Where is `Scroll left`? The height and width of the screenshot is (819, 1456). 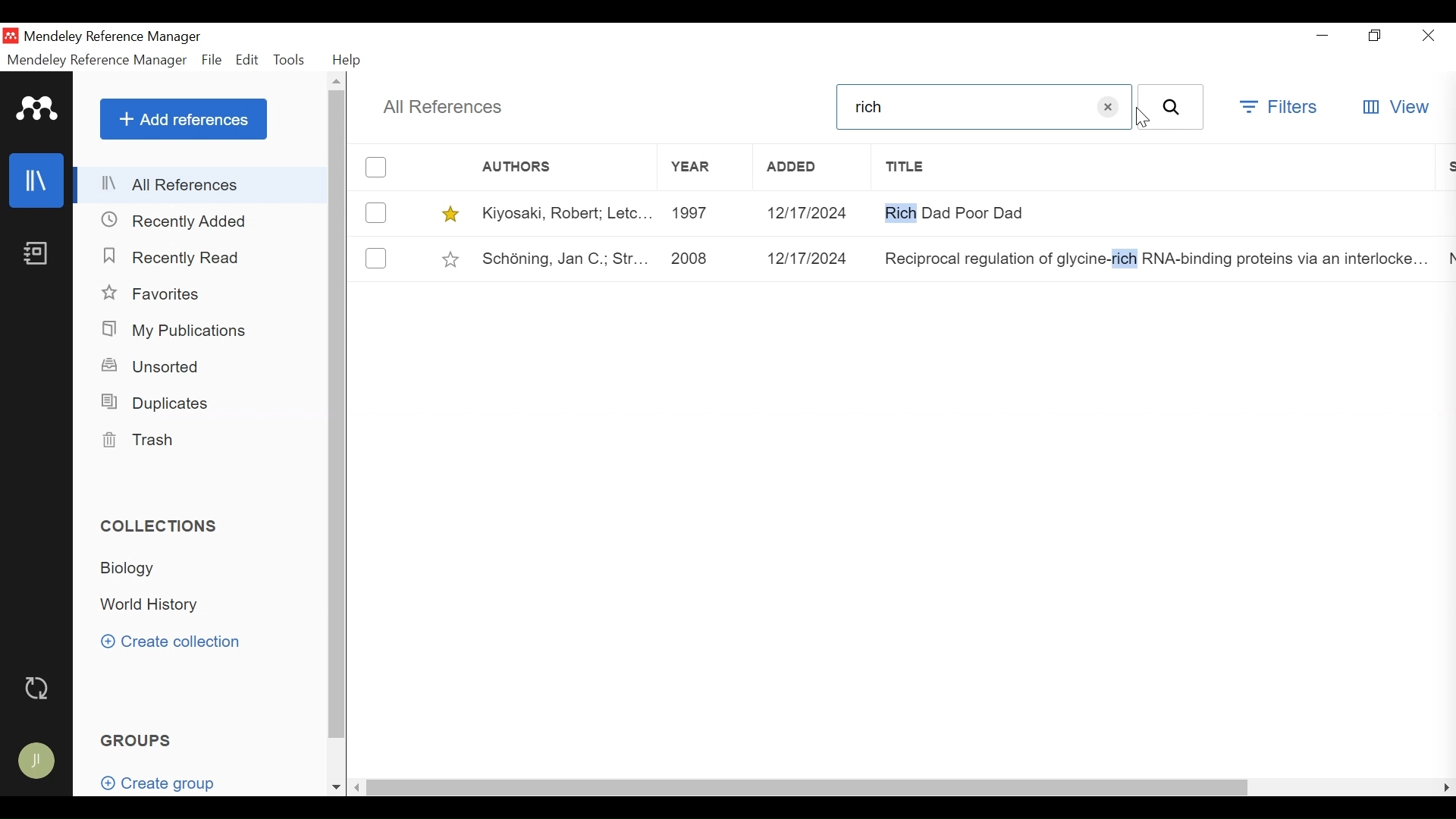
Scroll left is located at coordinates (358, 788).